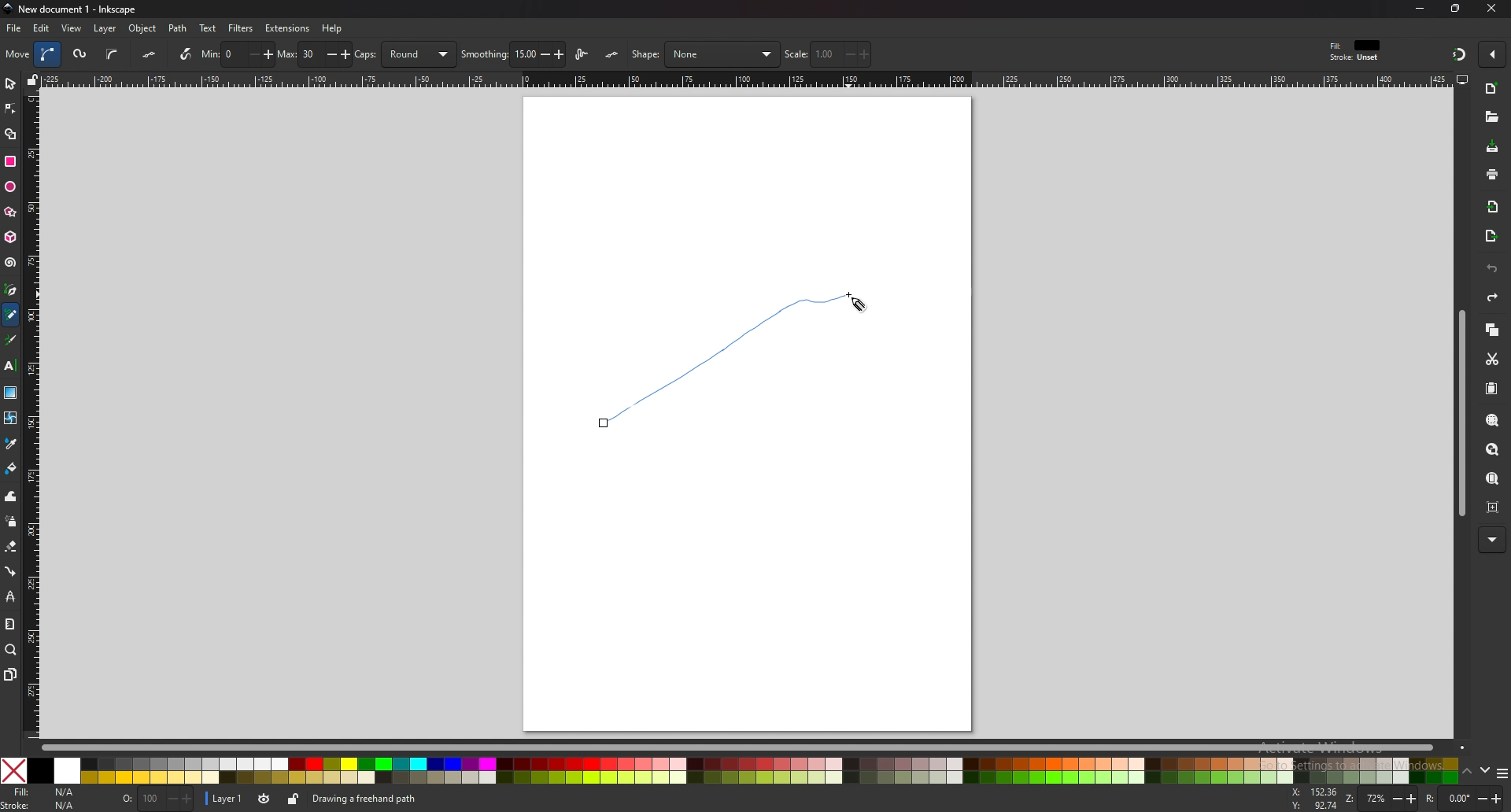 This screenshot has width=1511, height=812. What do you see at coordinates (718, 360) in the screenshot?
I see `Freehand Pencil Line` at bounding box center [718, 360].